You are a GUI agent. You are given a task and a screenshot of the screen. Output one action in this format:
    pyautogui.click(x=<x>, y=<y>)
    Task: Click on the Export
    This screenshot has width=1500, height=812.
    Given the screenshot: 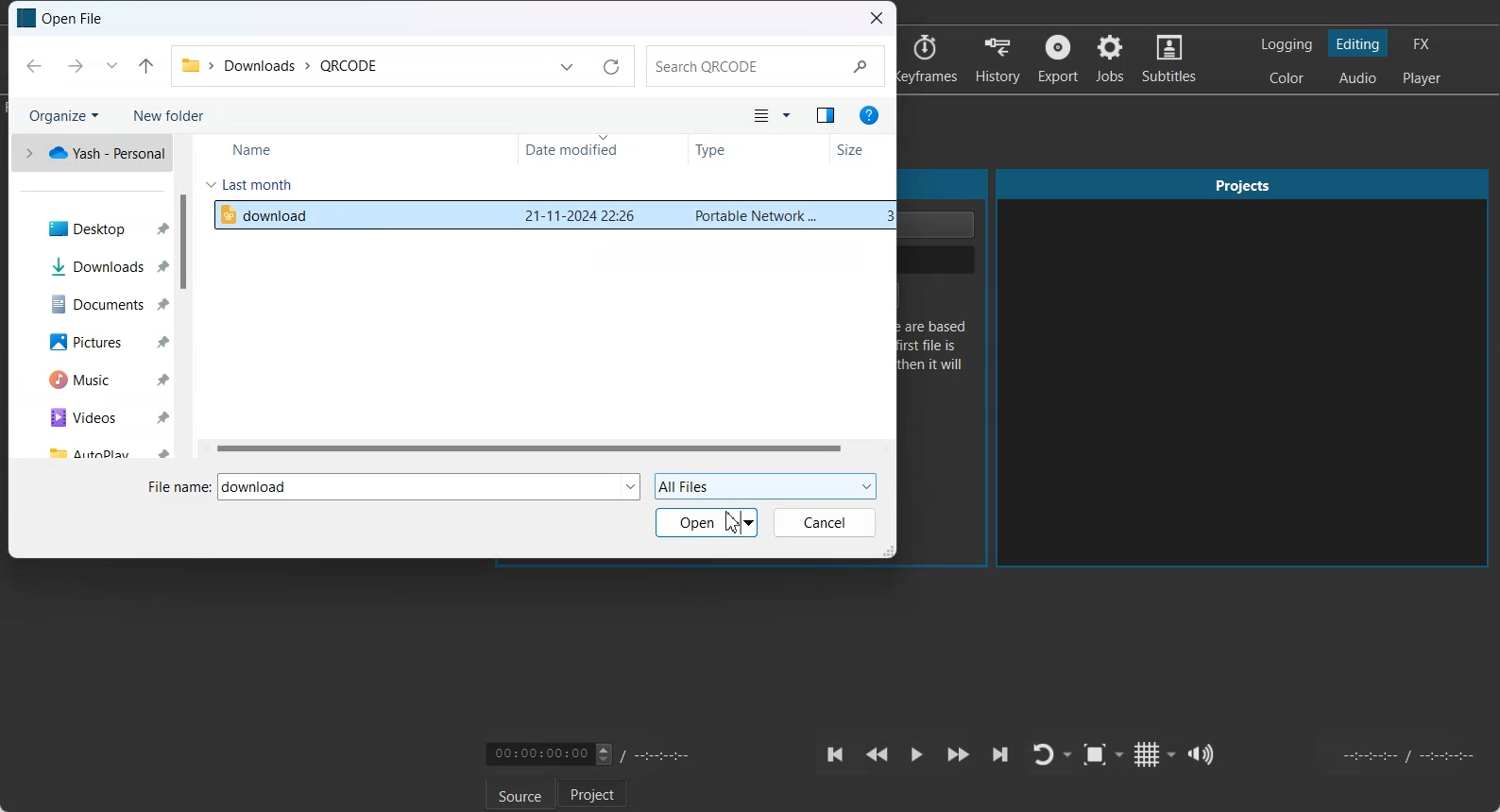 What is the action you would take?
    pyautogui.click(x=1061, y=59)
    